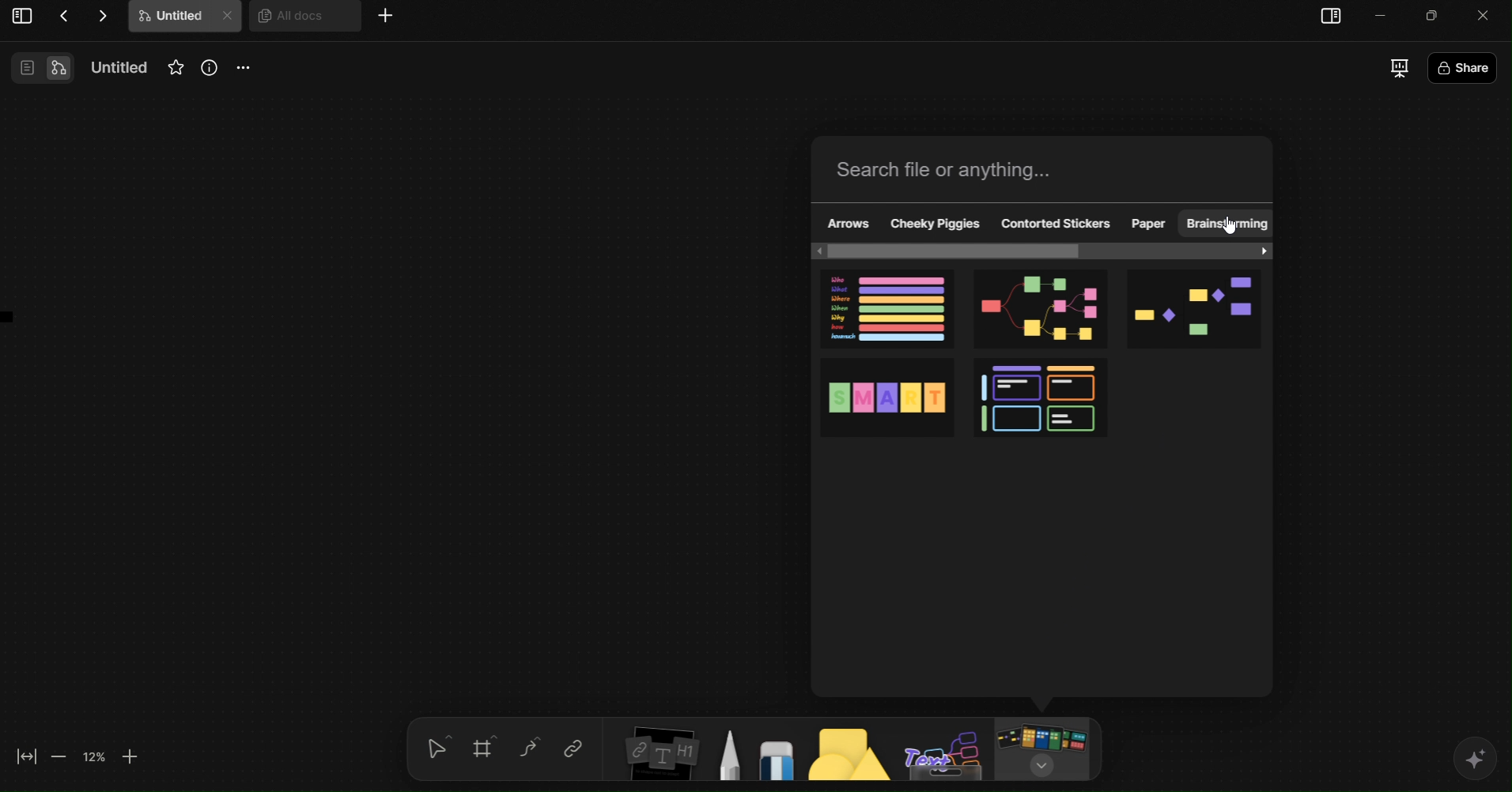 The width and height of the screenshot is (1512, 792). Describe the element at coordinates (1436, 14) in the screenshot. I see `Minimize` at that location.